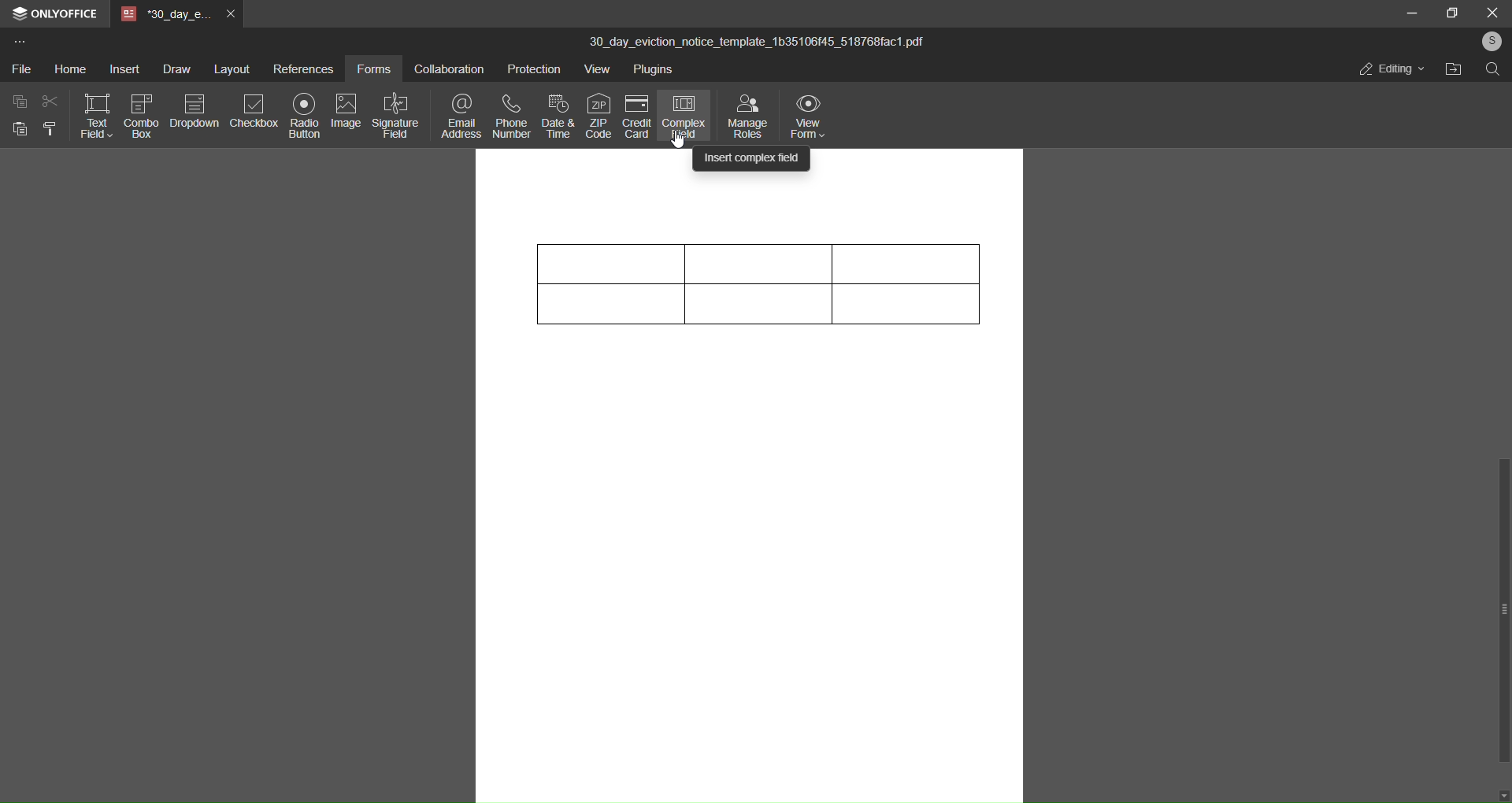 The width and height of the screenshot is (1512, 803). Describe the element at coordinates (458, 113) in the screenshot. I see `email address` at that location.